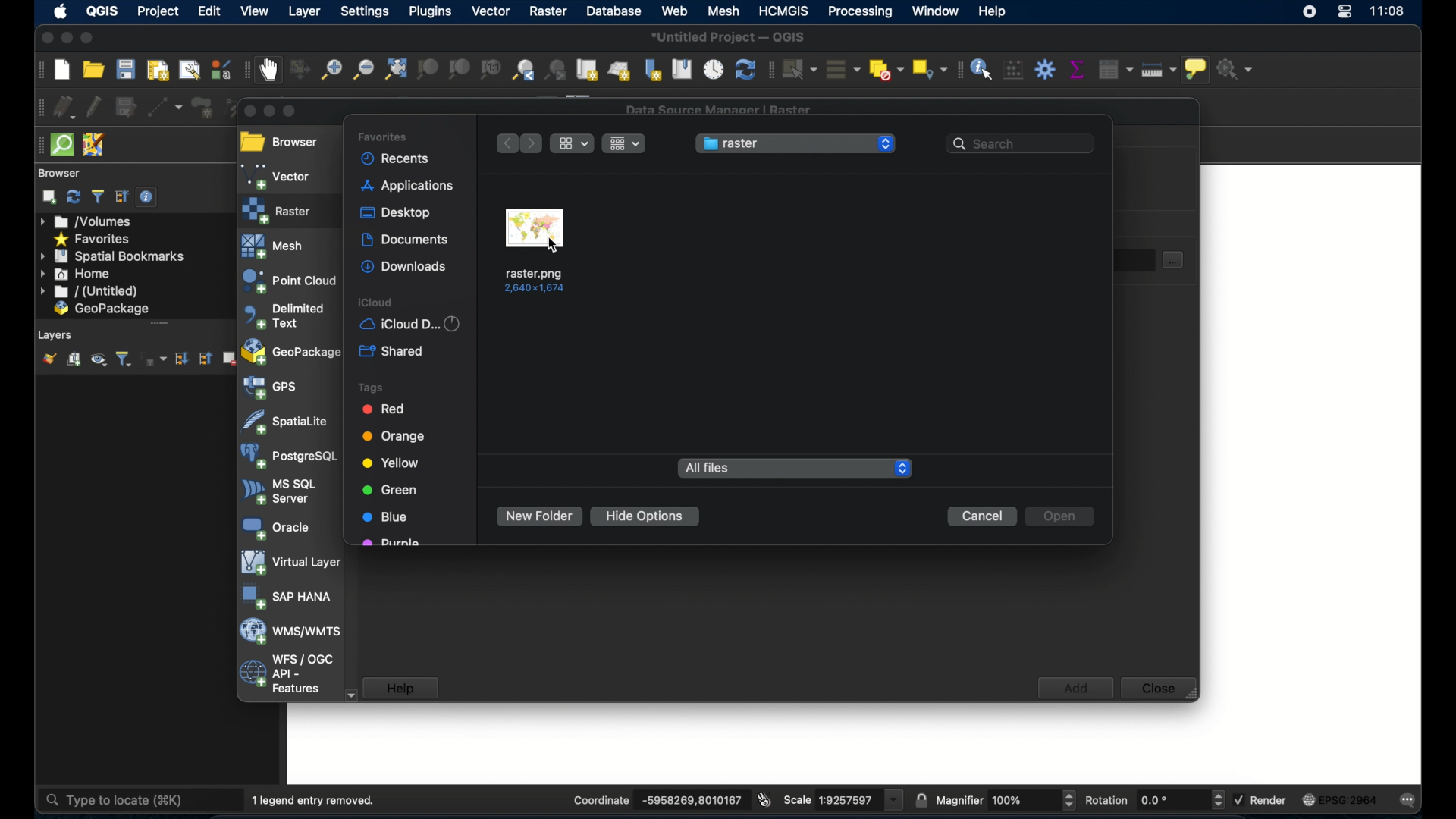 The height and width of the screenshot is (819, 1456). Describe the element at coordinates (271, 389) in the screenshot. I see `gps` at that location.